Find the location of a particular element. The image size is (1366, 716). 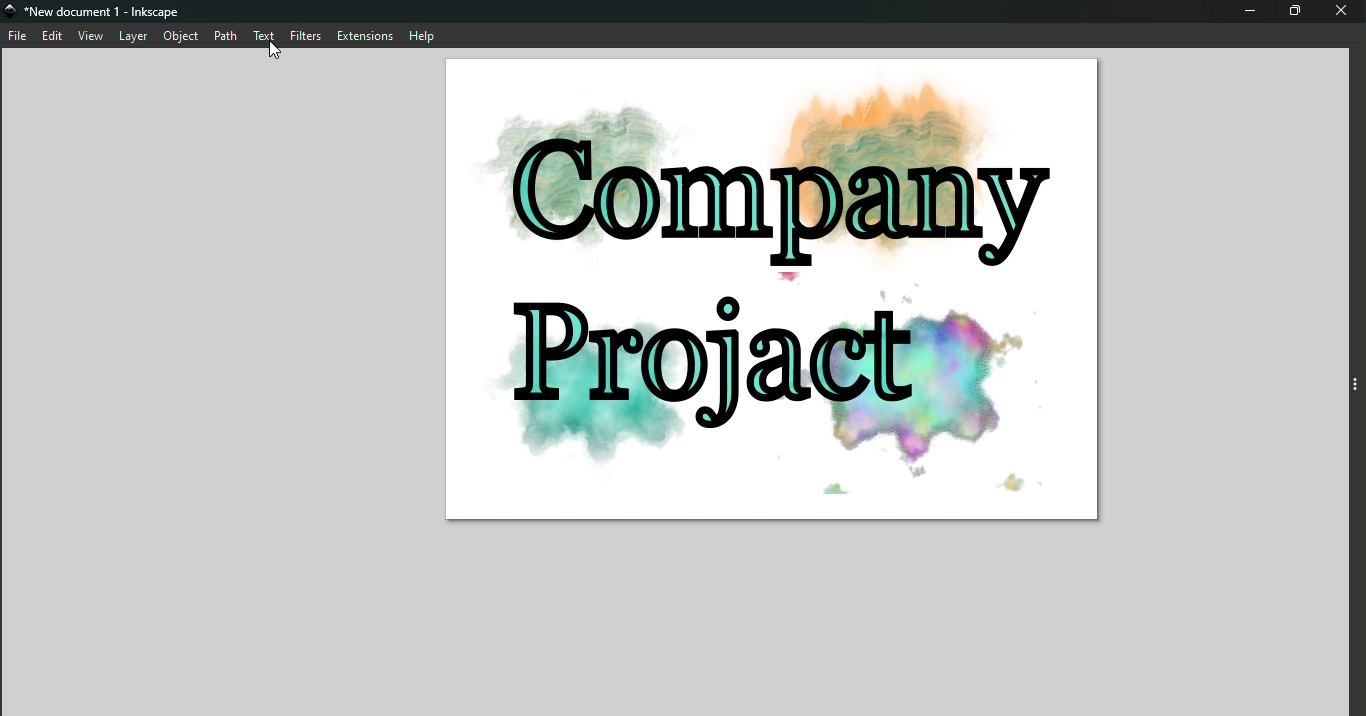

file is located at coordinates (19, 38).